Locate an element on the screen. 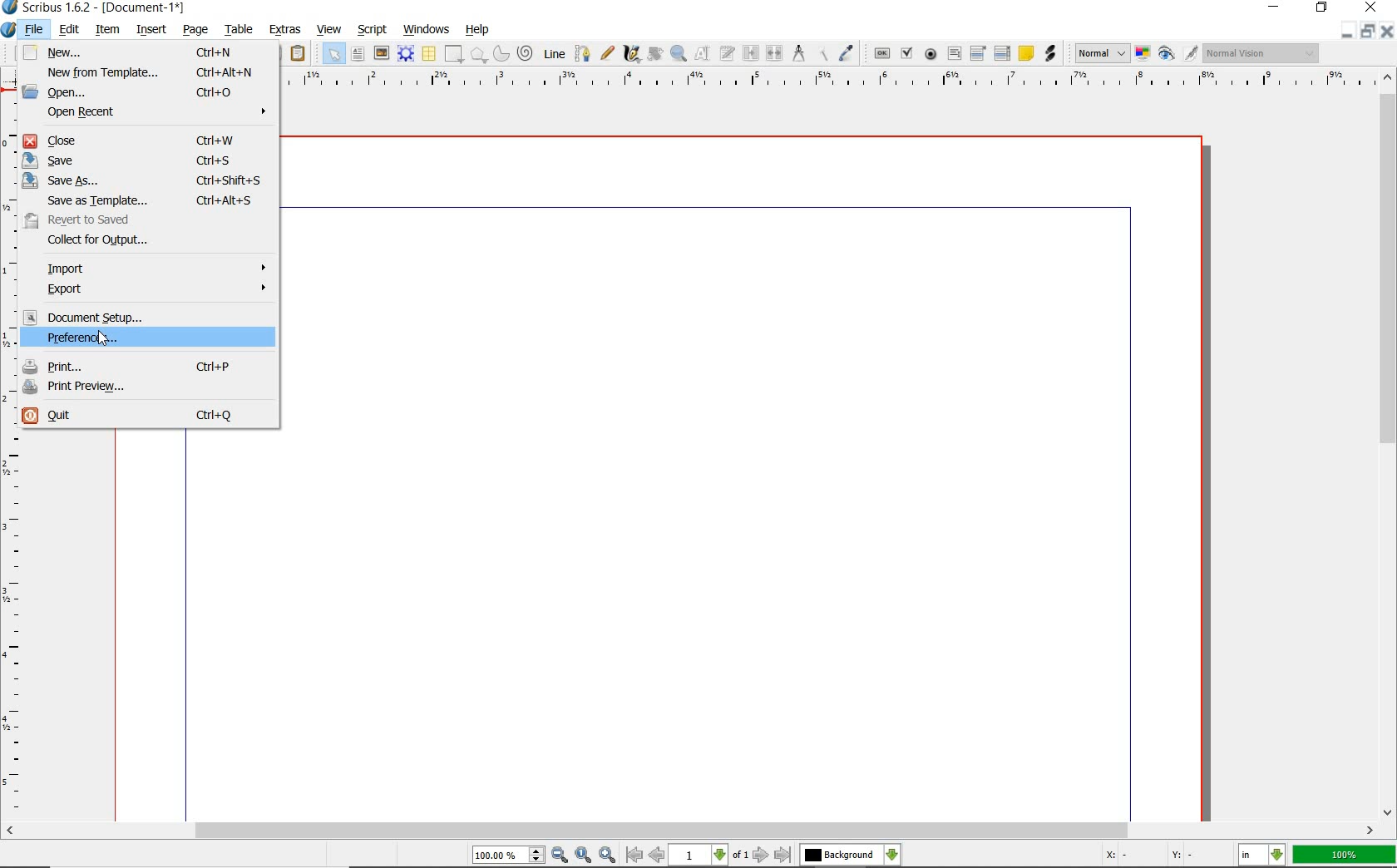  help is located at coordinates (479, 29).